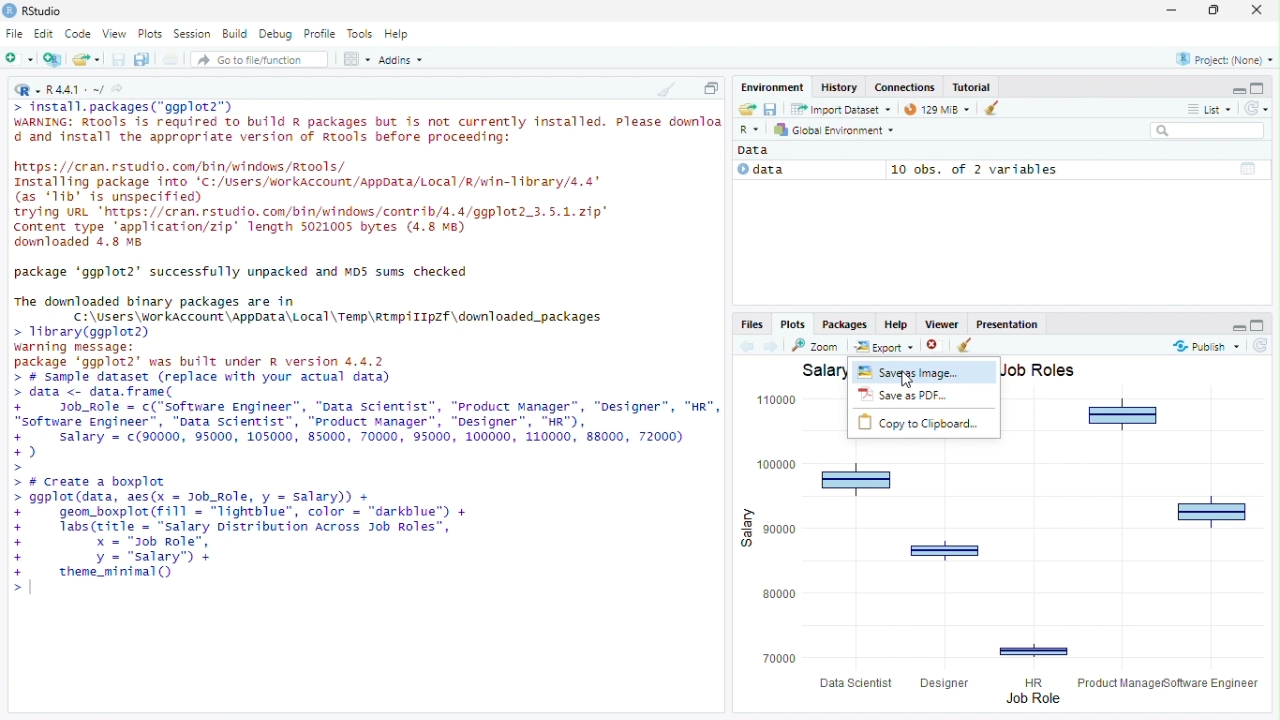 The height and width of the screenshot is (720, 1280). What do you see at coordinates (320, 34) in the screenshot?
I see `Profile` at bounding box center [320, 34].